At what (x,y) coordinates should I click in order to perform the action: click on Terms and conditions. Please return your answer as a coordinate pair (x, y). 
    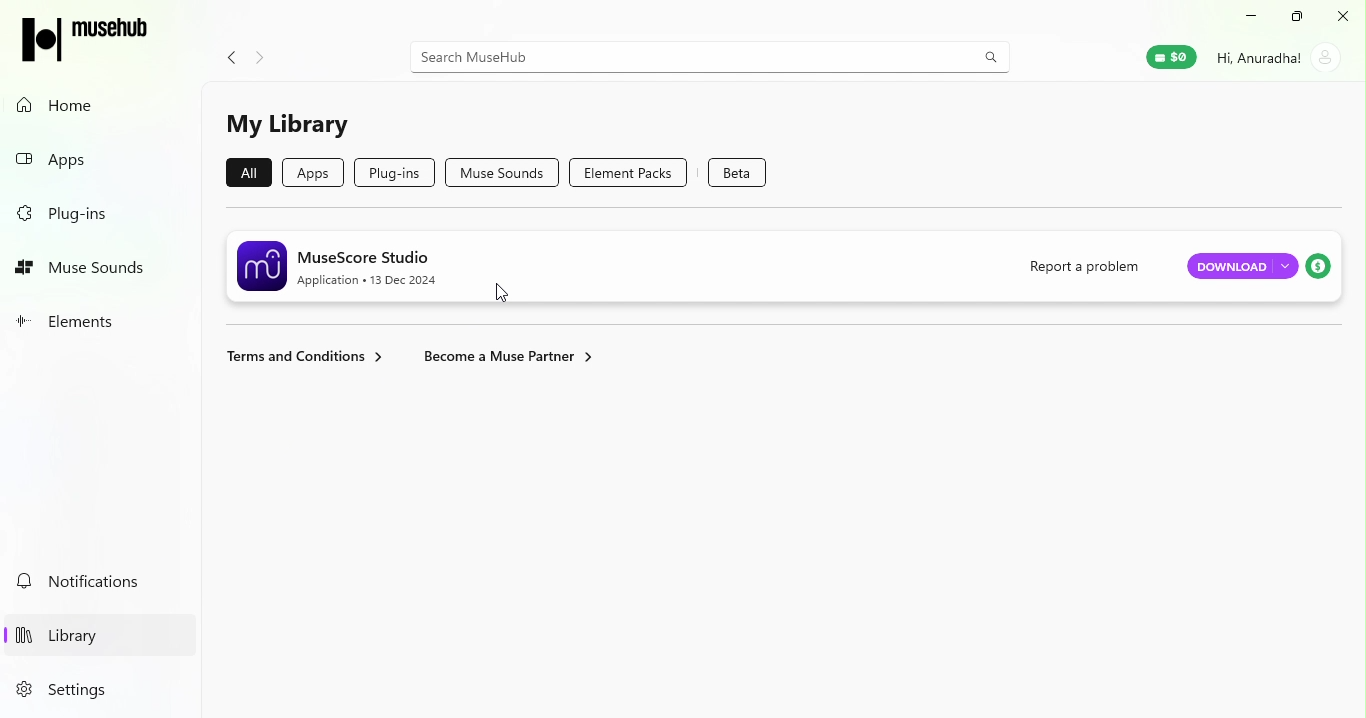
    Looking at the image, I should click on (303, 358).